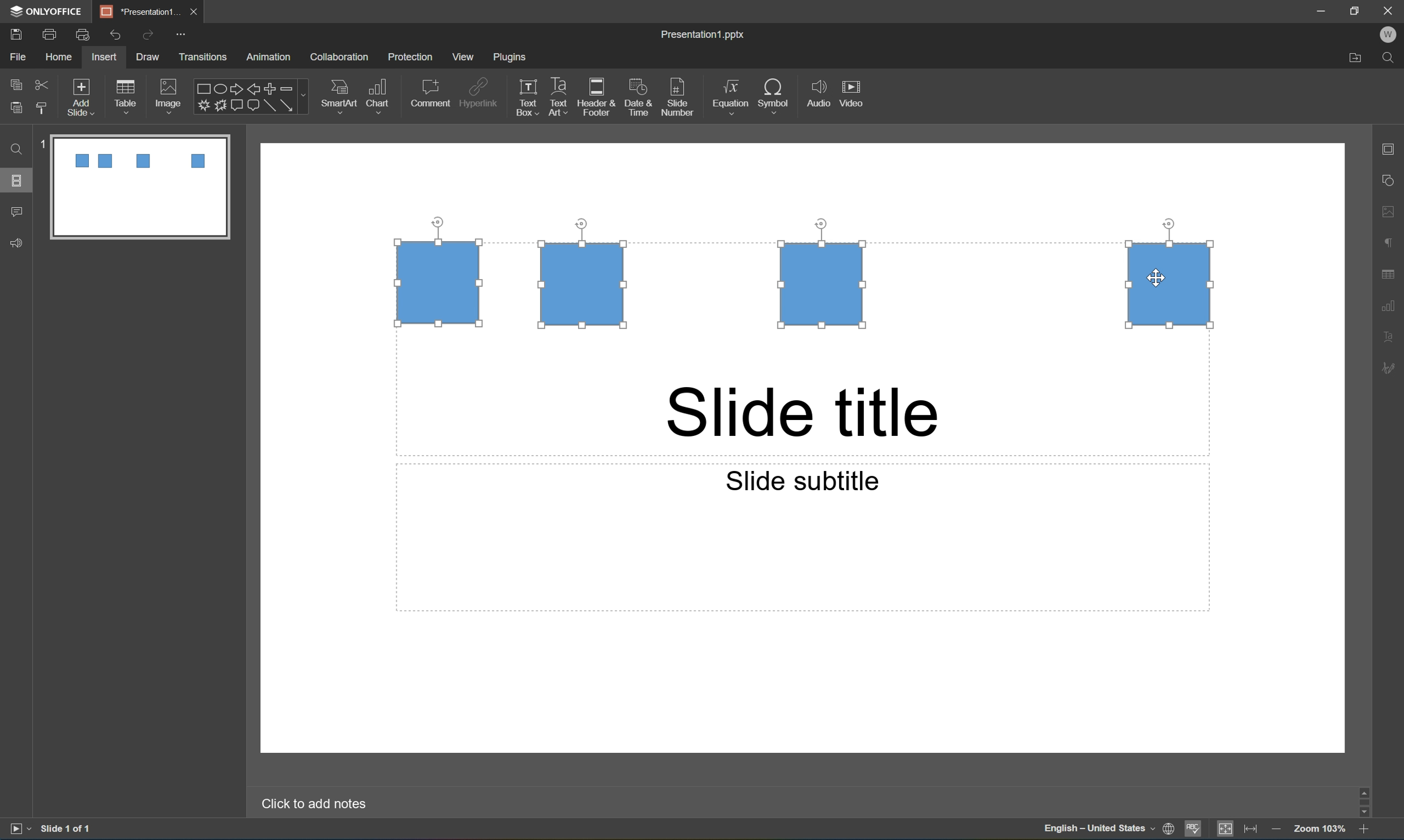 The height and width of the screenshot is (840, 1404). What do you see at coordinates (461, 57) in the screenshot?
I see `view` at bounding box center [461, 57].